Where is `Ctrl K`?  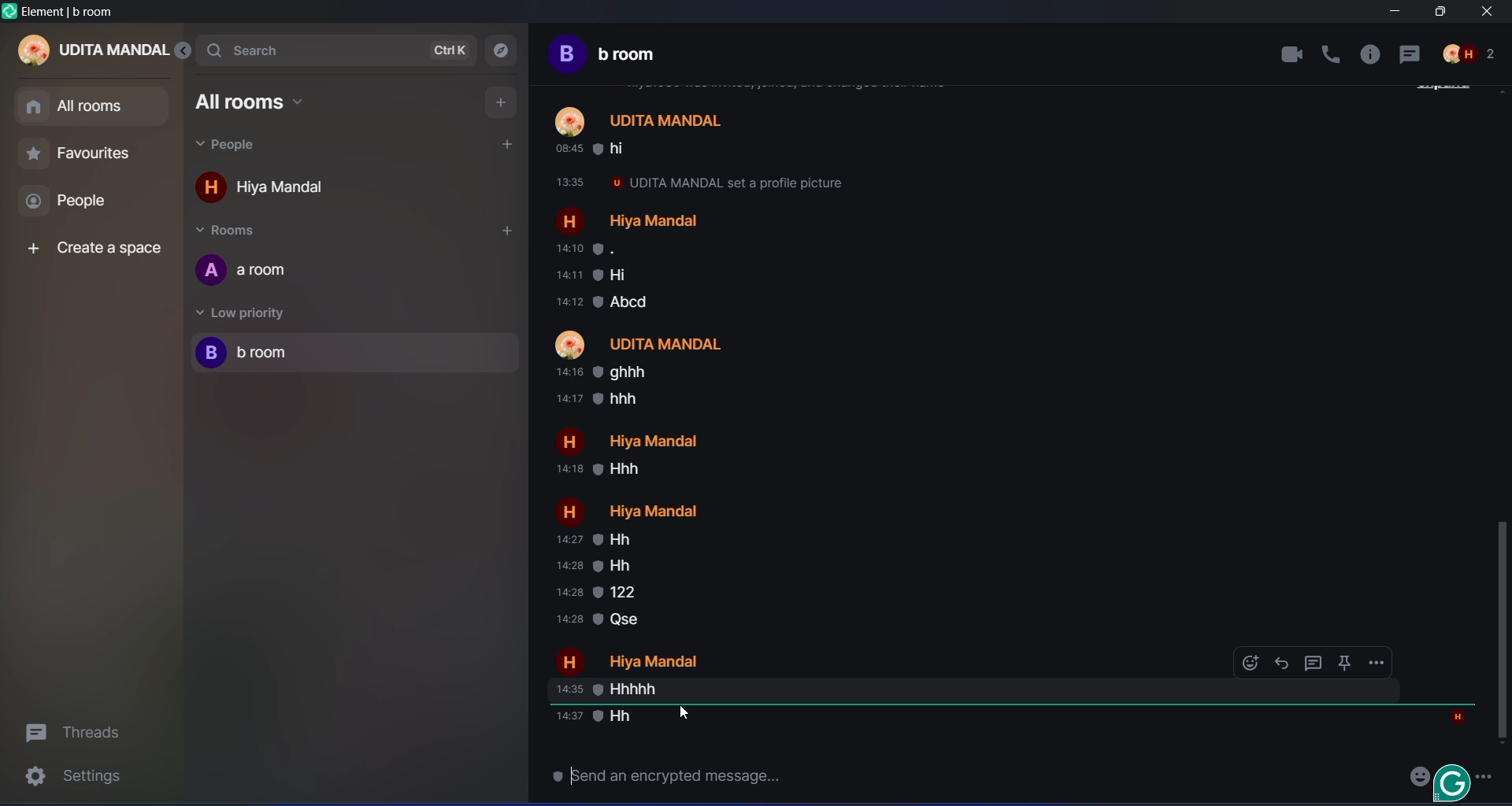
Ctrl K is located at coordinates (452, 50).